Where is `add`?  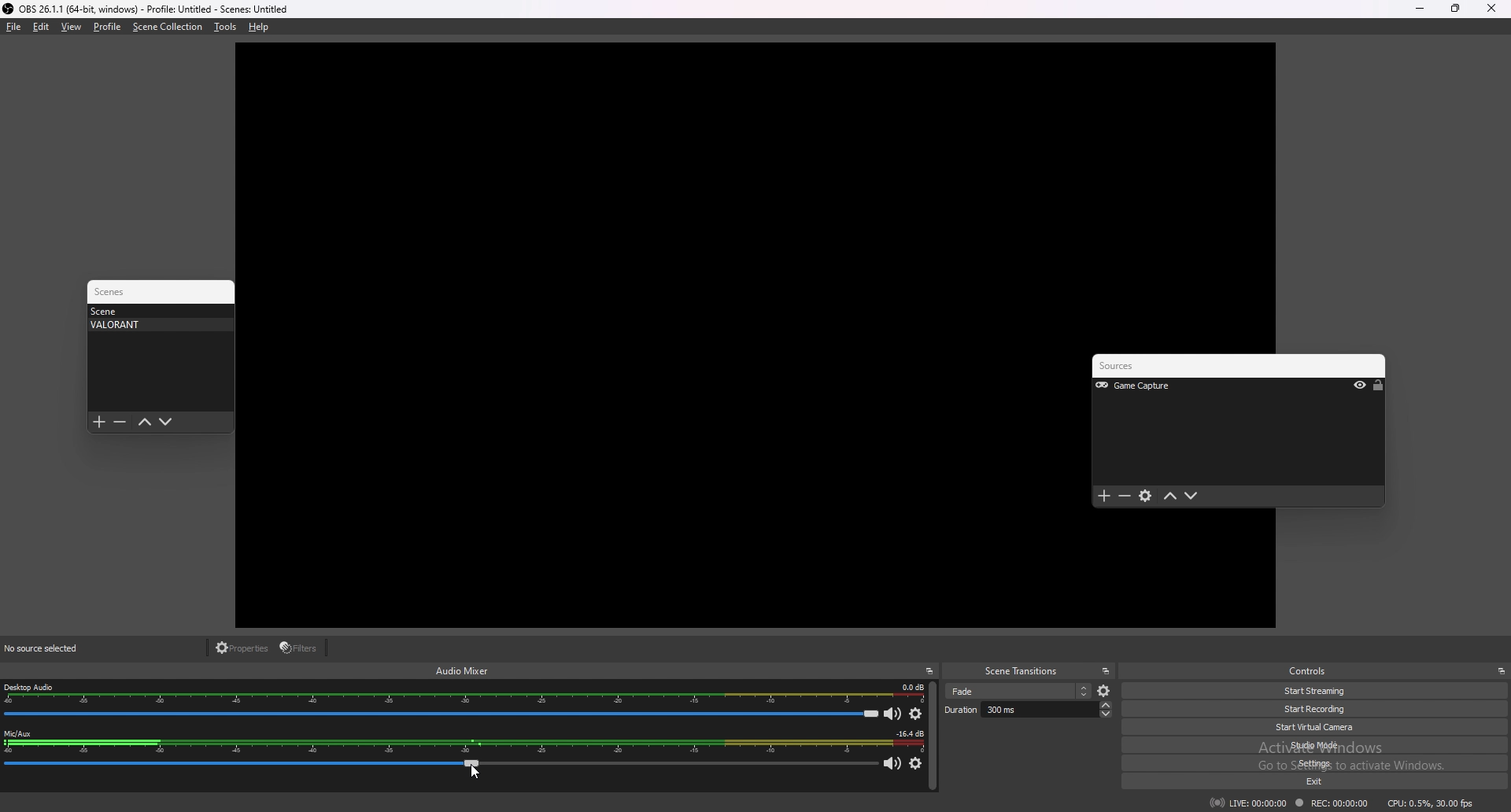 add is located at coordinates (1104, 496).